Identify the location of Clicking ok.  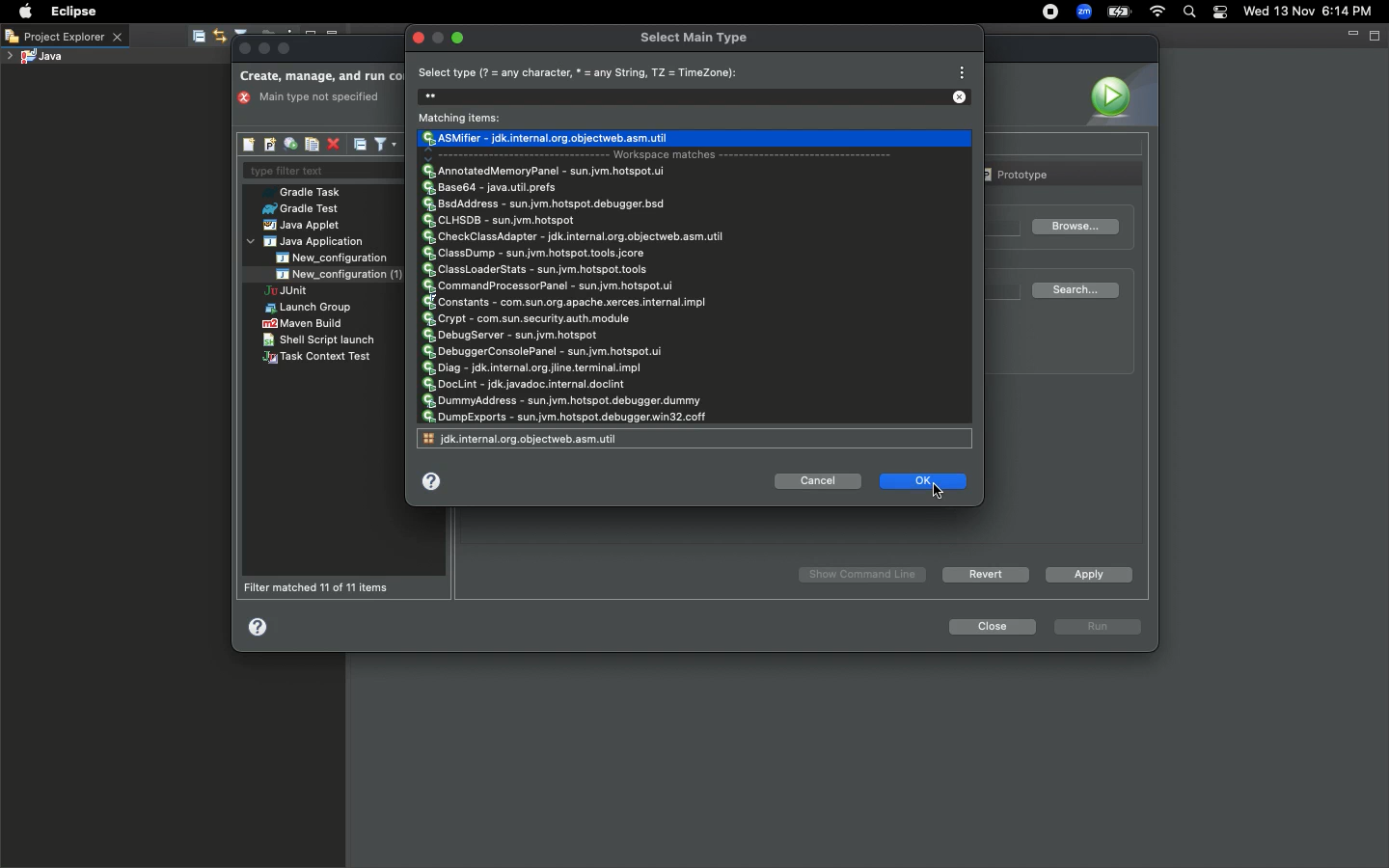
(926, 478).